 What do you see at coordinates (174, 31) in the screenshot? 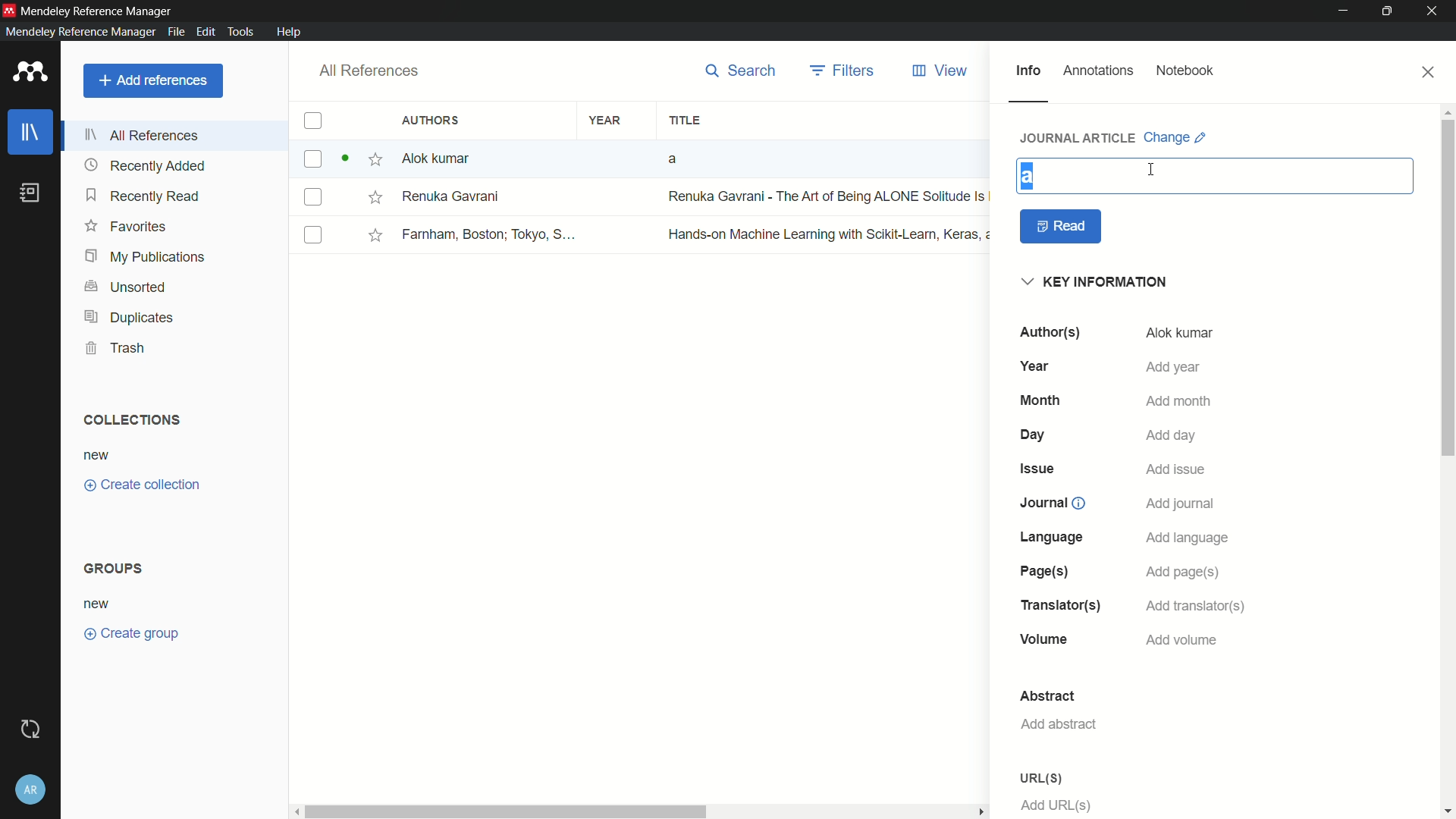
I see `file menu` at bounding box center [174, 31].